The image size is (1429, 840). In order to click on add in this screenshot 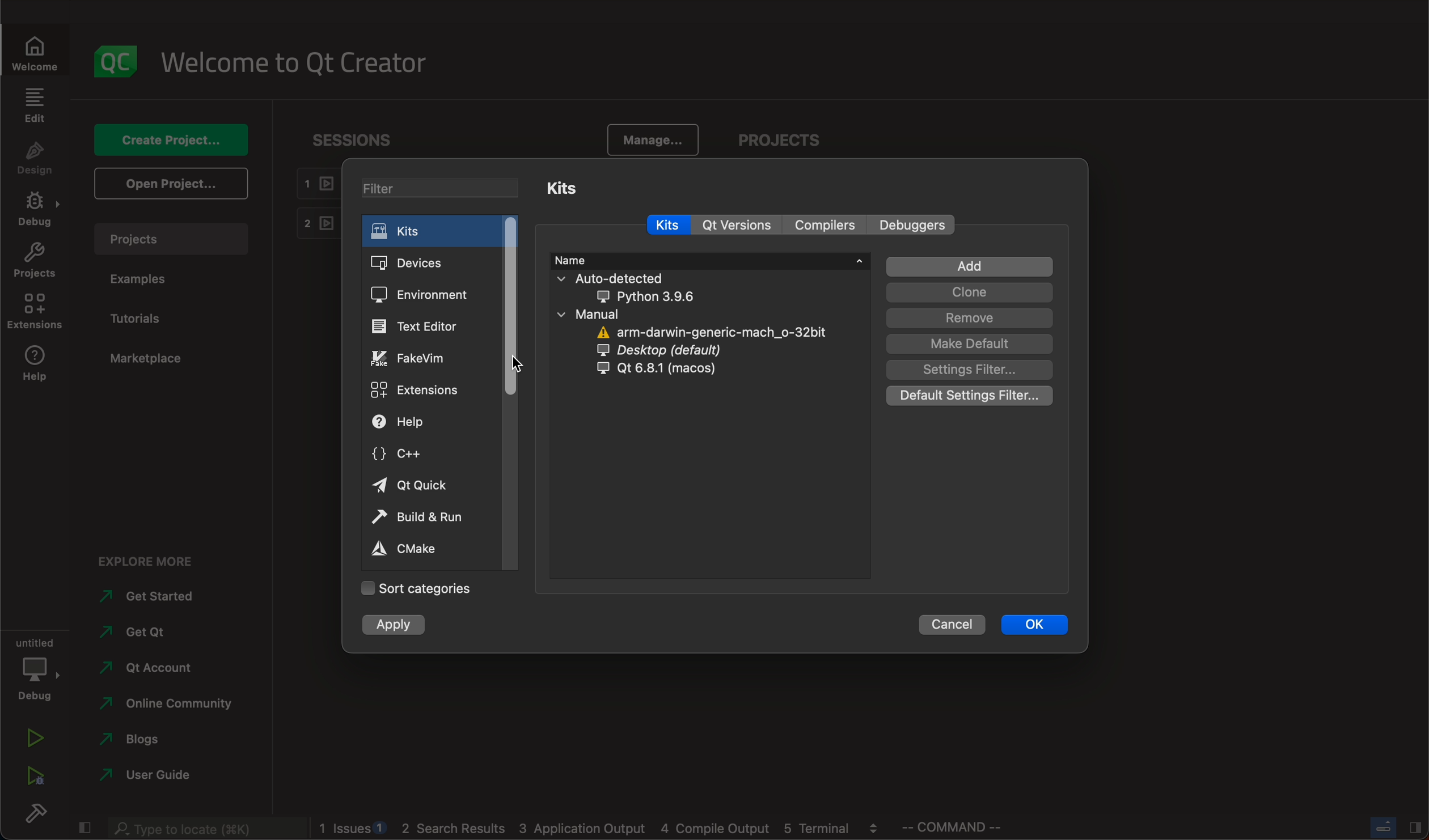, I will do `click(962, 266)`.